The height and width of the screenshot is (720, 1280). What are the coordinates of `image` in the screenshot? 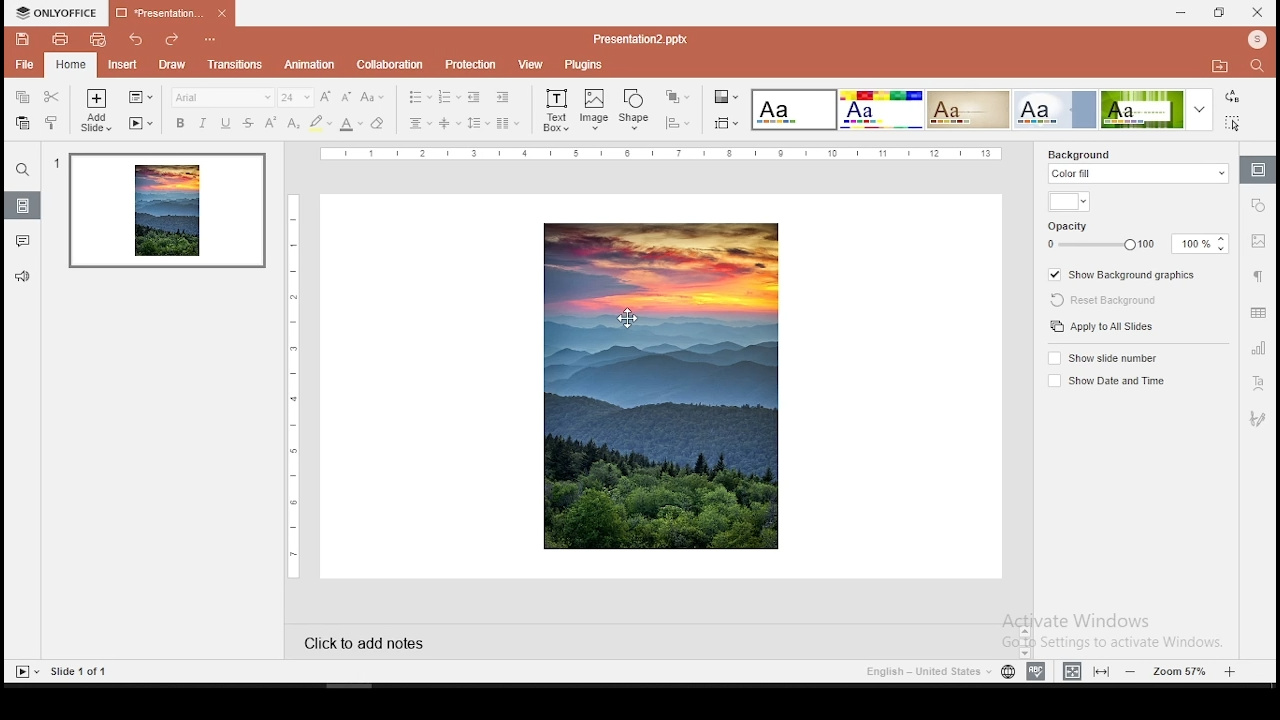 It's located at (594, 109).